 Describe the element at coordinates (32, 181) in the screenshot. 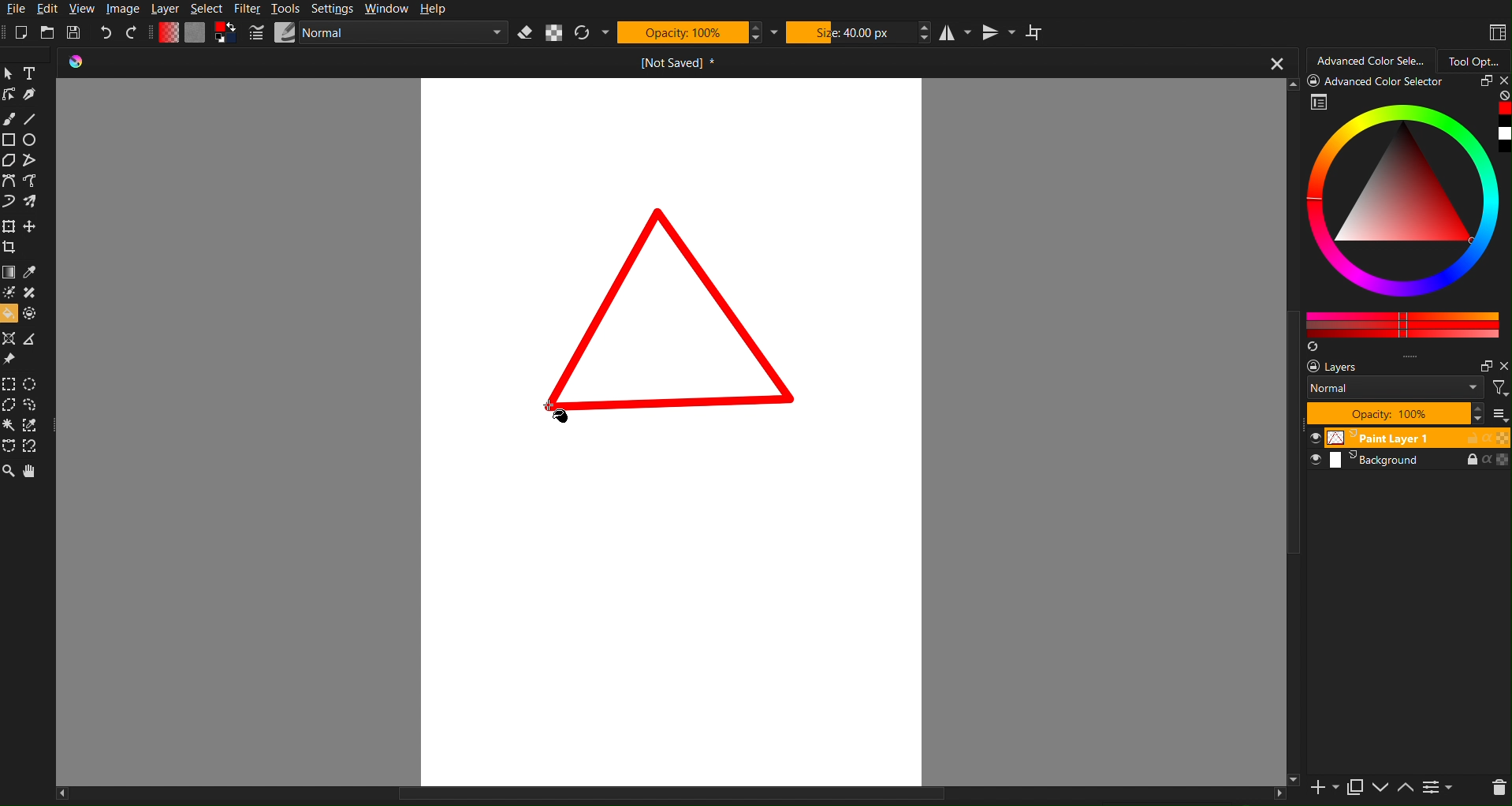

I see `freehand path tool` at that location.